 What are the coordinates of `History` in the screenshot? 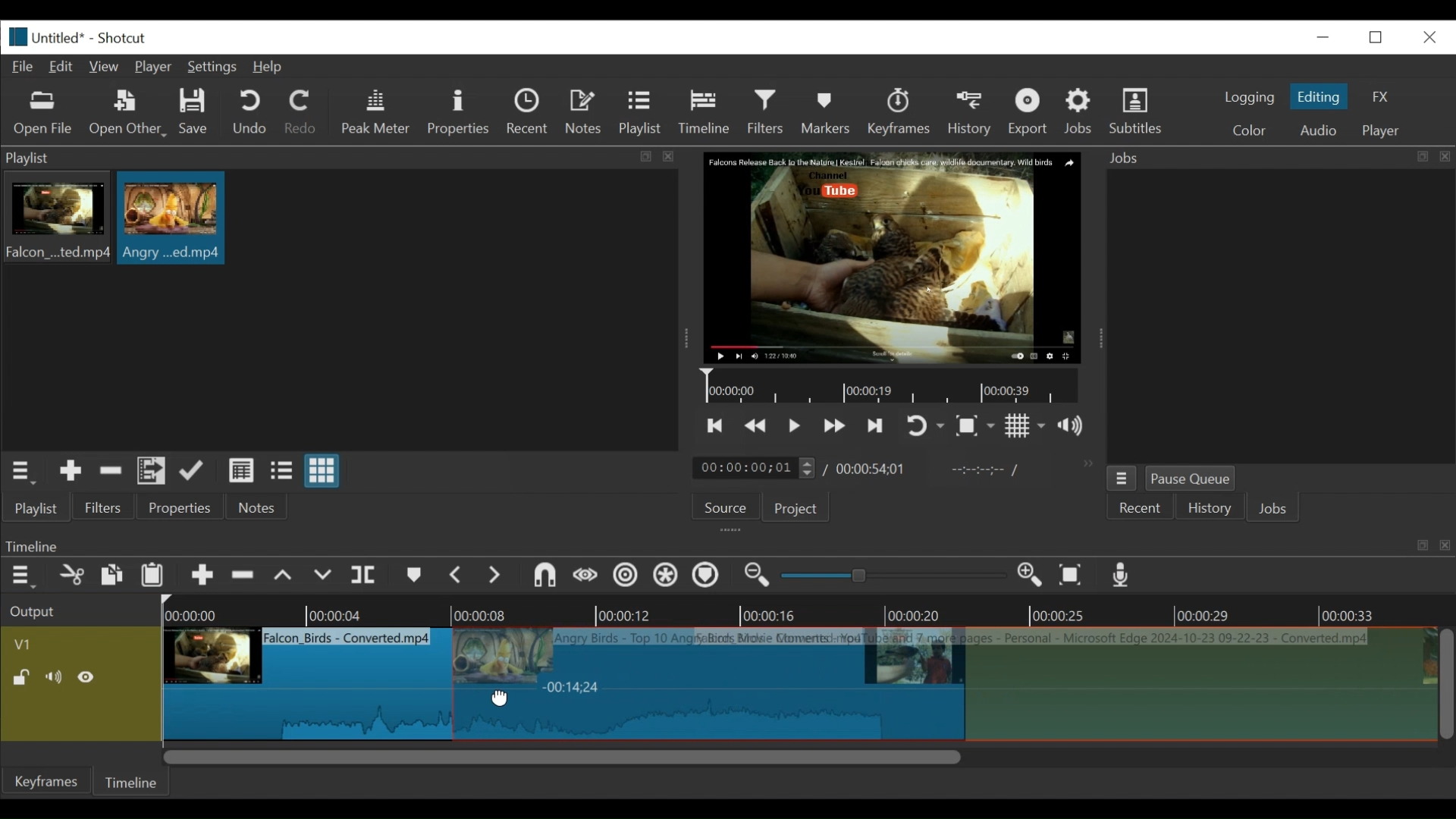 It's located at (1210, 510).